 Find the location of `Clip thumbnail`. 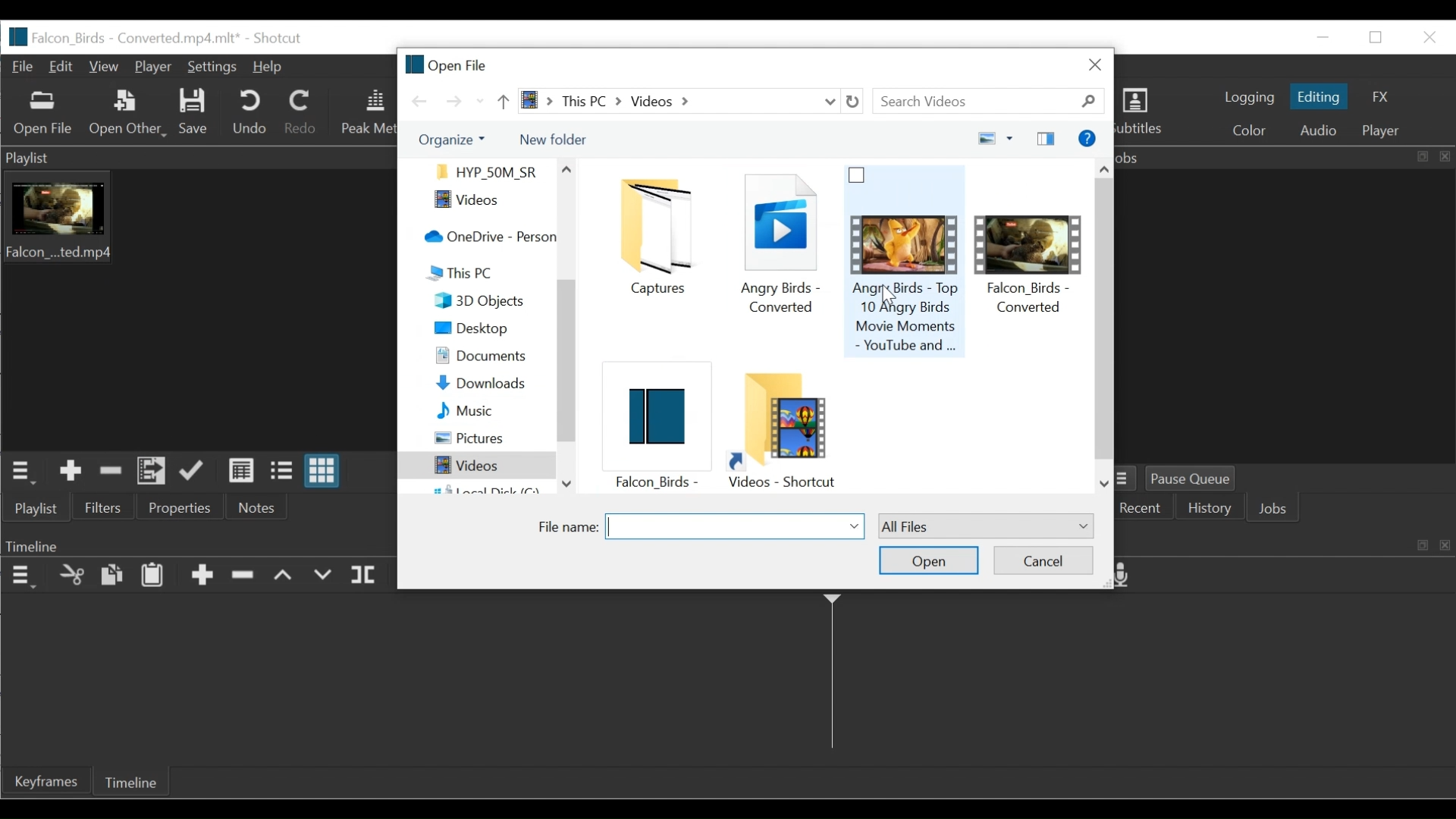

Clip thumbnail is located at coordinates (193, 310).